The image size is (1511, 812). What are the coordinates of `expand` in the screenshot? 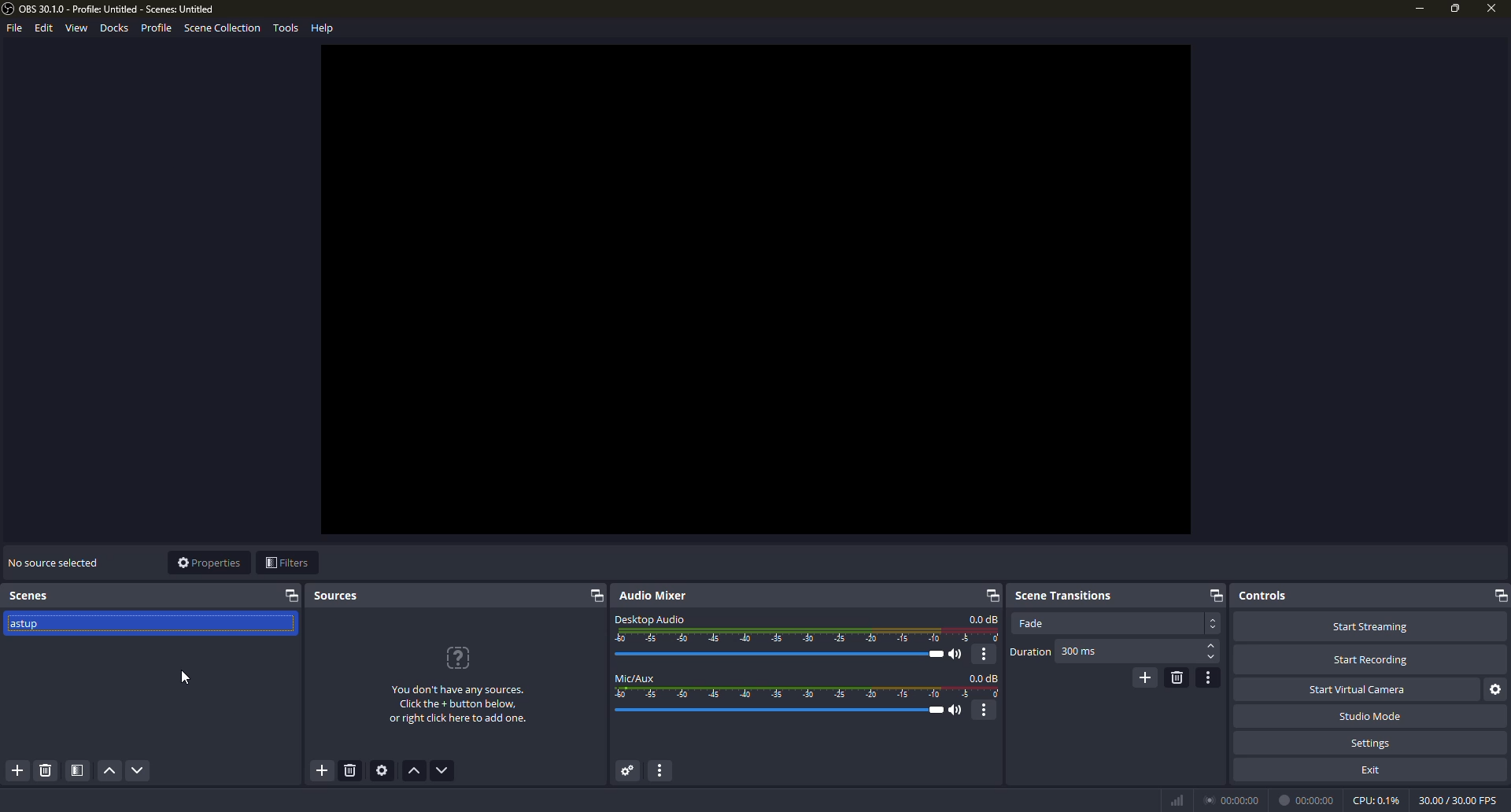 It's located at (1214, 595).